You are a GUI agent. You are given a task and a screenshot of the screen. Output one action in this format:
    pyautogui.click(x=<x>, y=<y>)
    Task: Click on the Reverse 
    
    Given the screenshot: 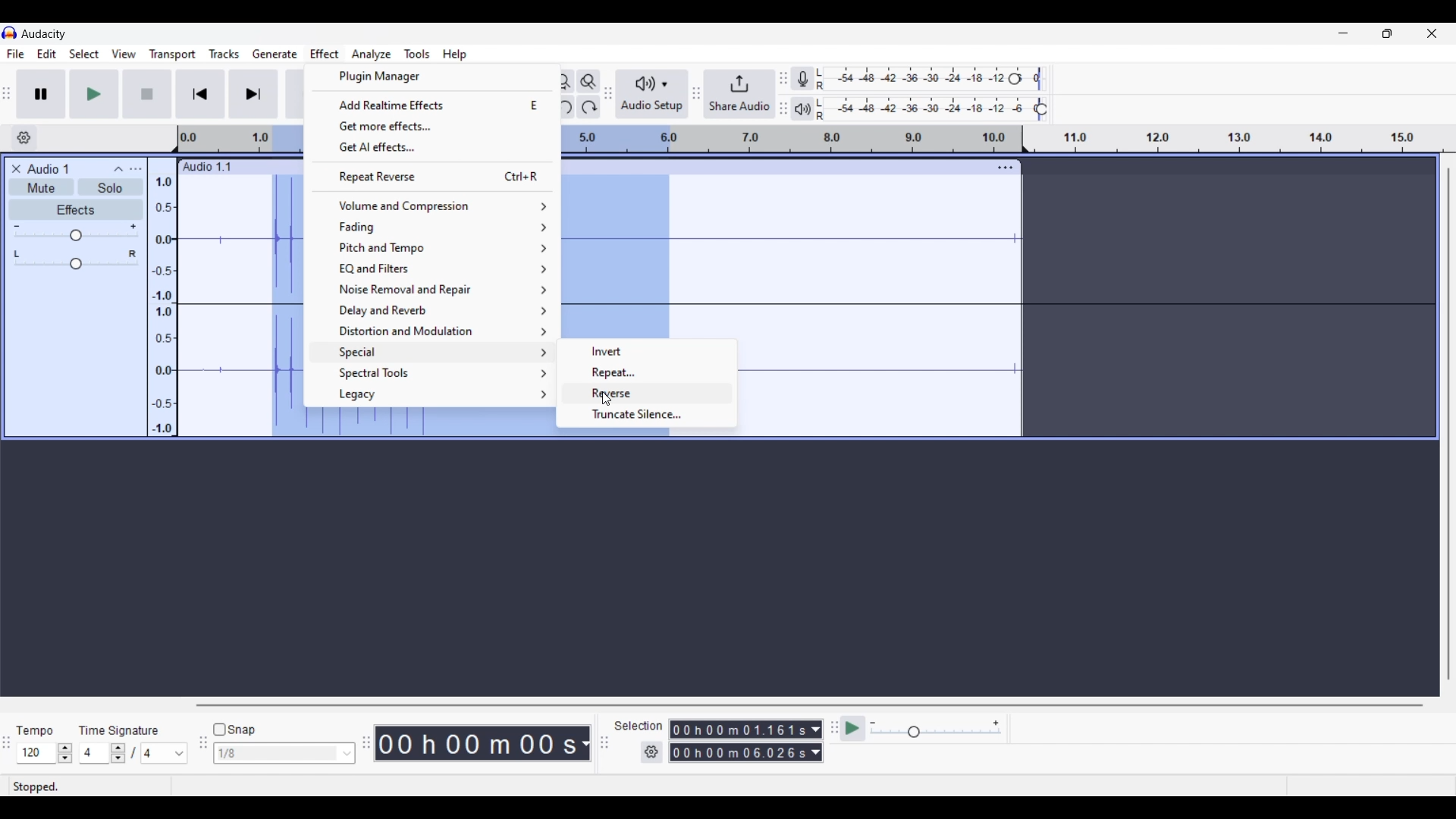 What is the action you would take?
    pyautogui.click(x=672, y=394)
    